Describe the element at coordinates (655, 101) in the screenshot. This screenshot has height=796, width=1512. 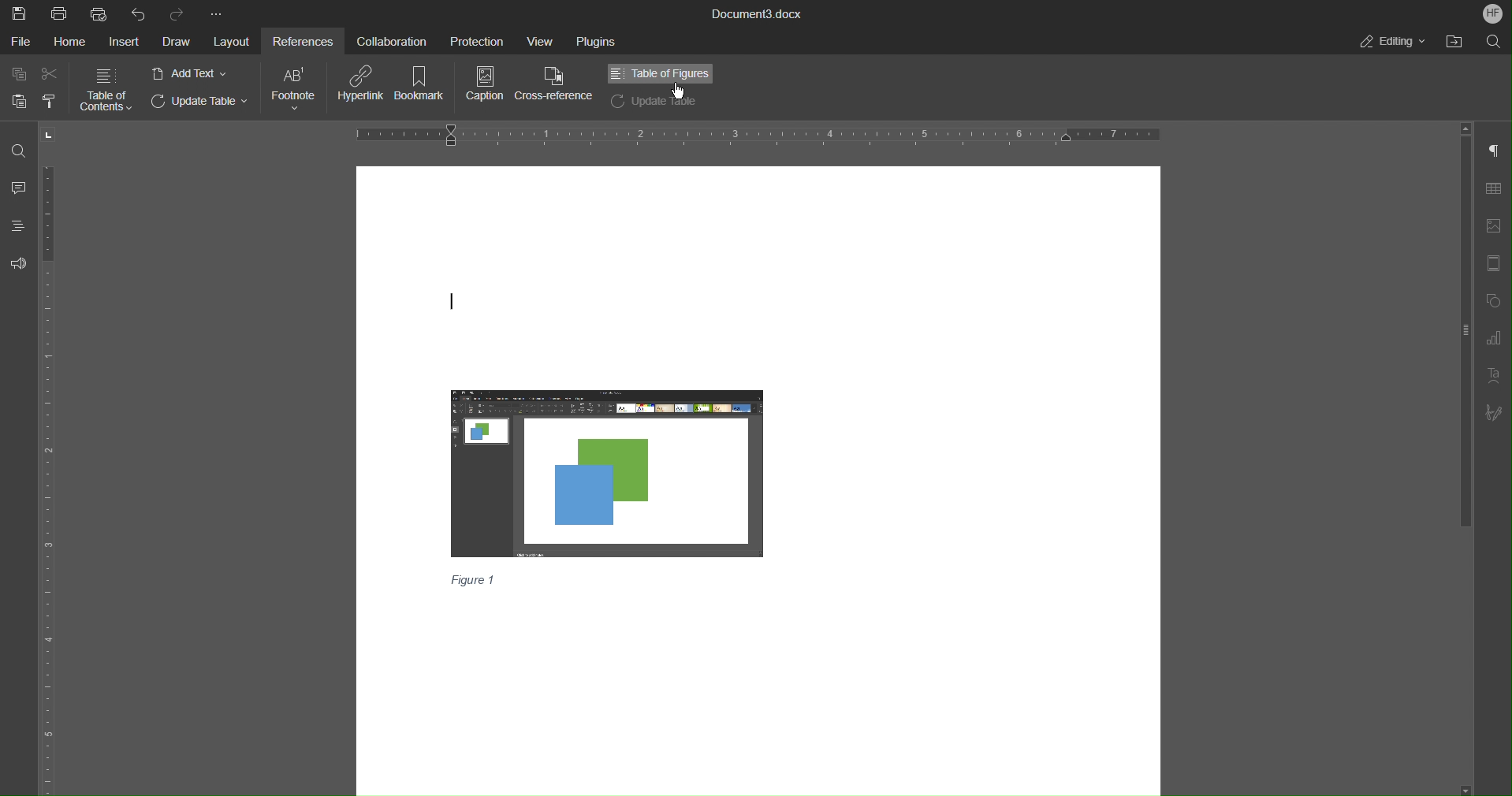
I see `Update Table` at that location.